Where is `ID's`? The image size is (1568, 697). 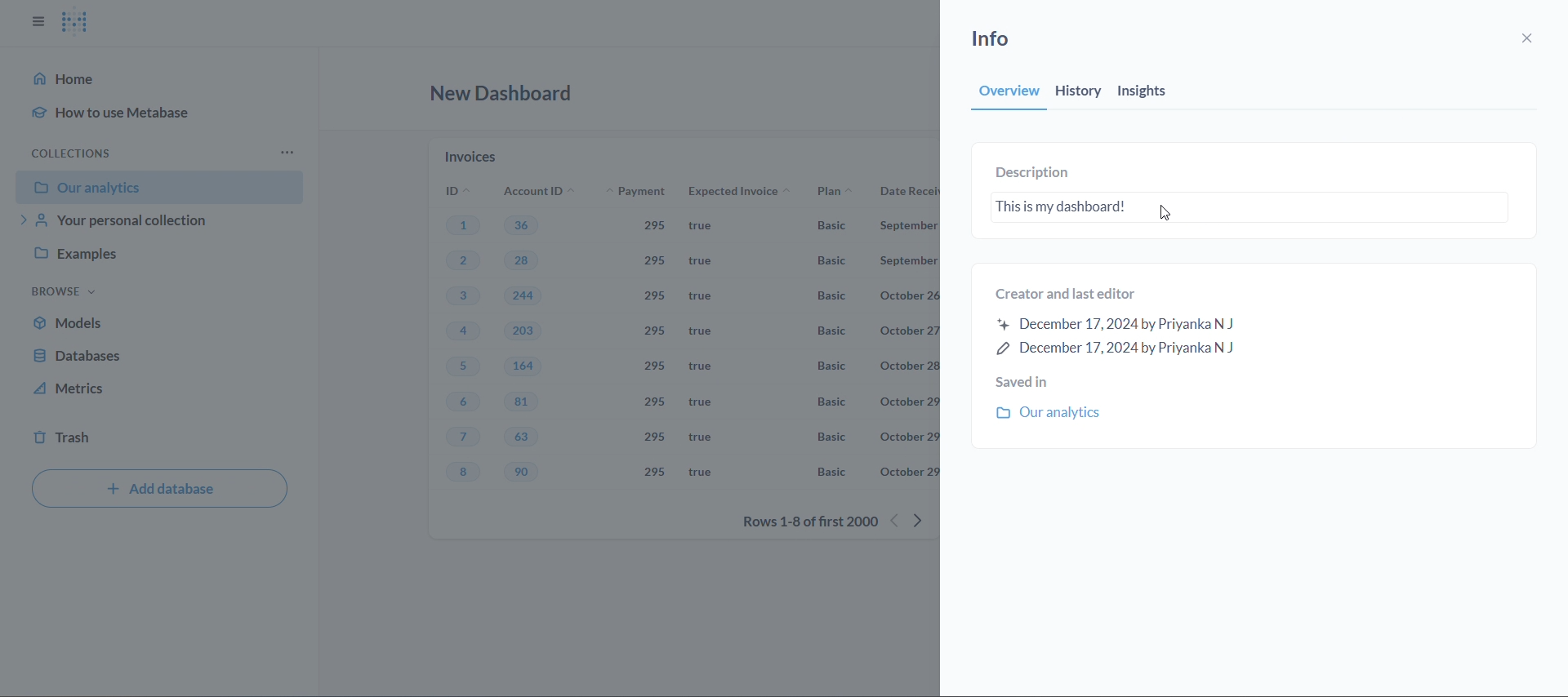 ID's is located at coordinates (451, 191).